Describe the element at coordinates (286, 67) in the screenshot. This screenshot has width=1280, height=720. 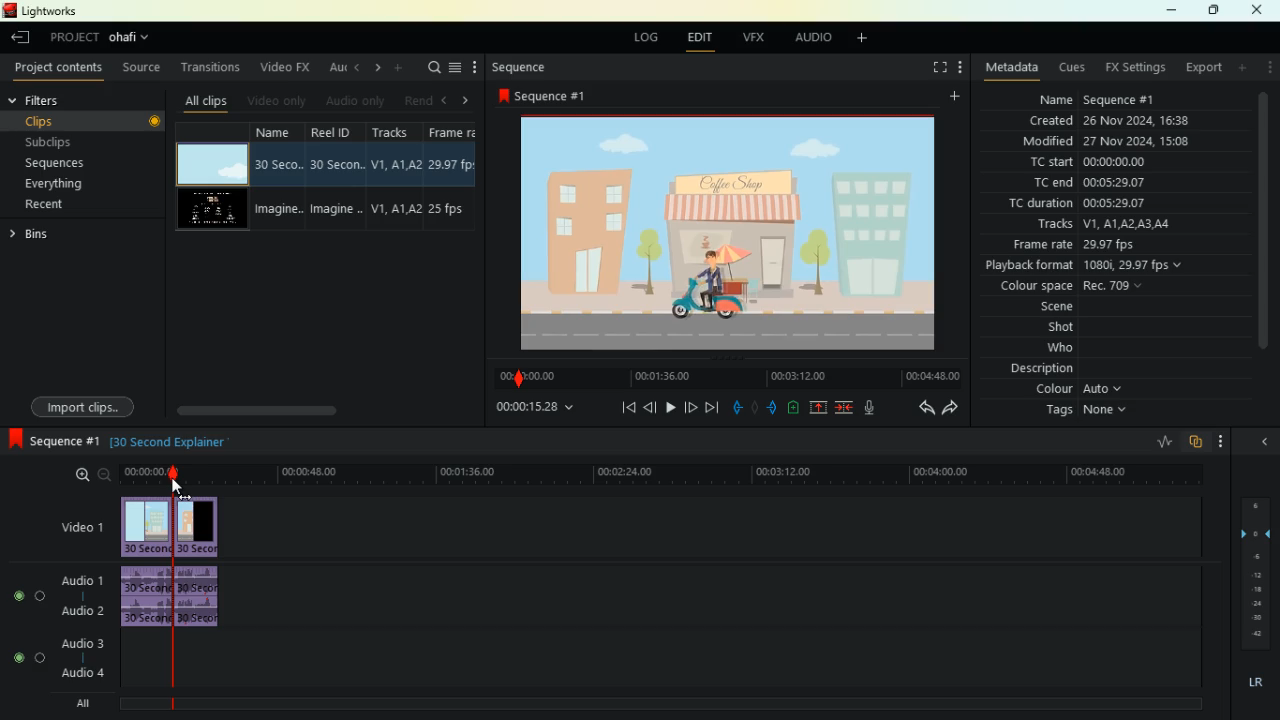
I see `video fx` at that location.